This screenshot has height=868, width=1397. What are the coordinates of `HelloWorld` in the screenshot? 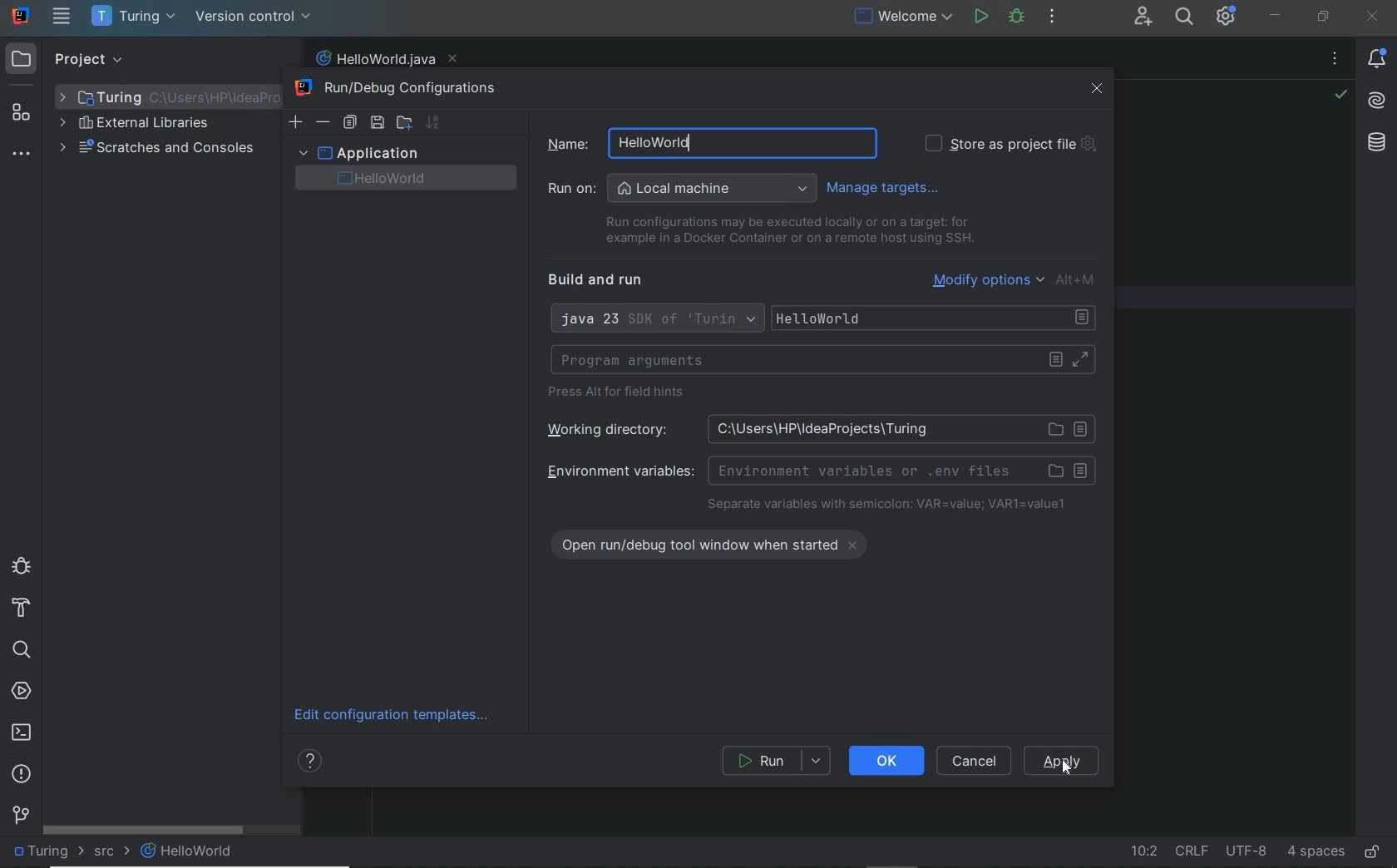 It's located at (414, 179).